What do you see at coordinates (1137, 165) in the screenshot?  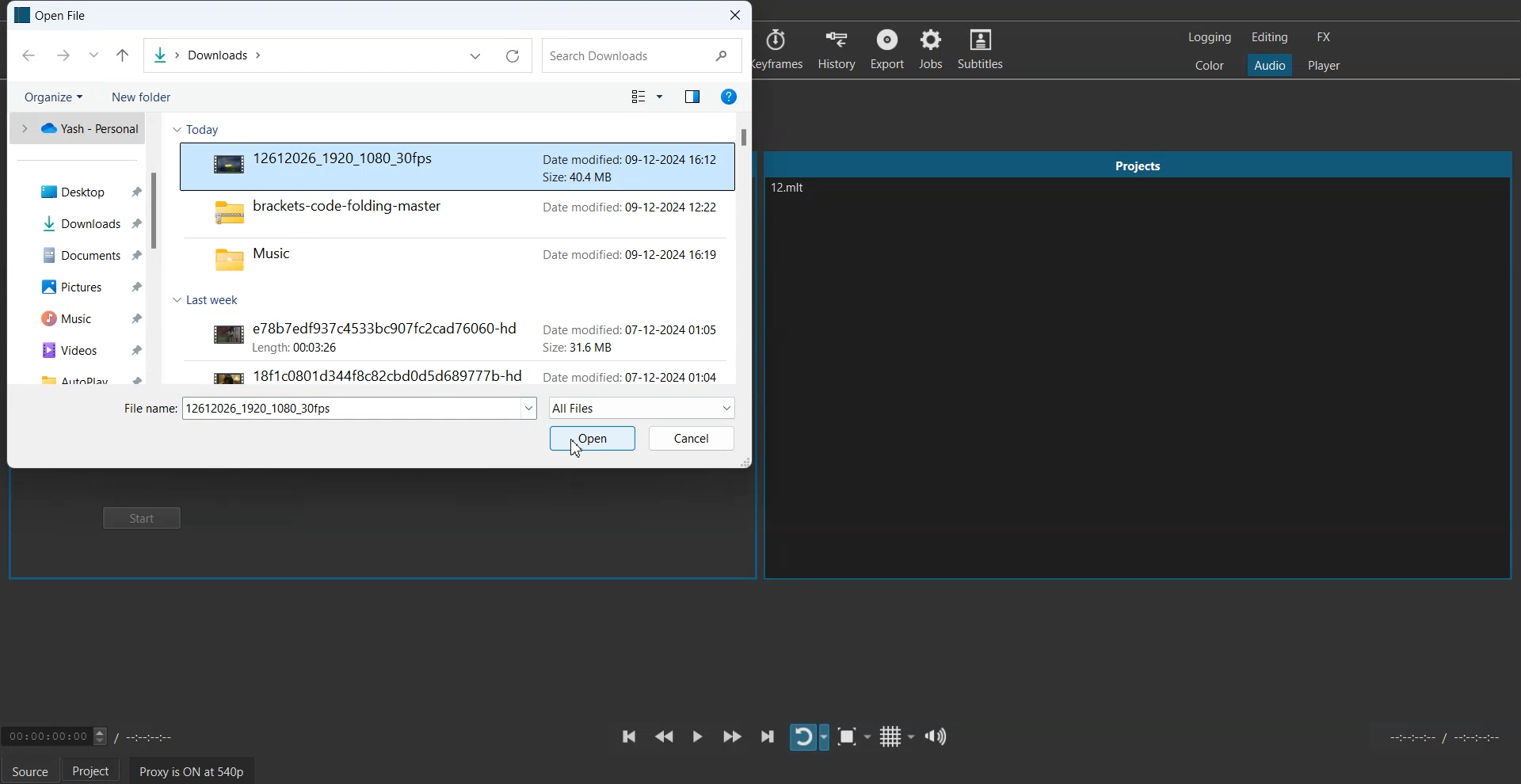 I see `Project` at bounding box center [1137, 165].